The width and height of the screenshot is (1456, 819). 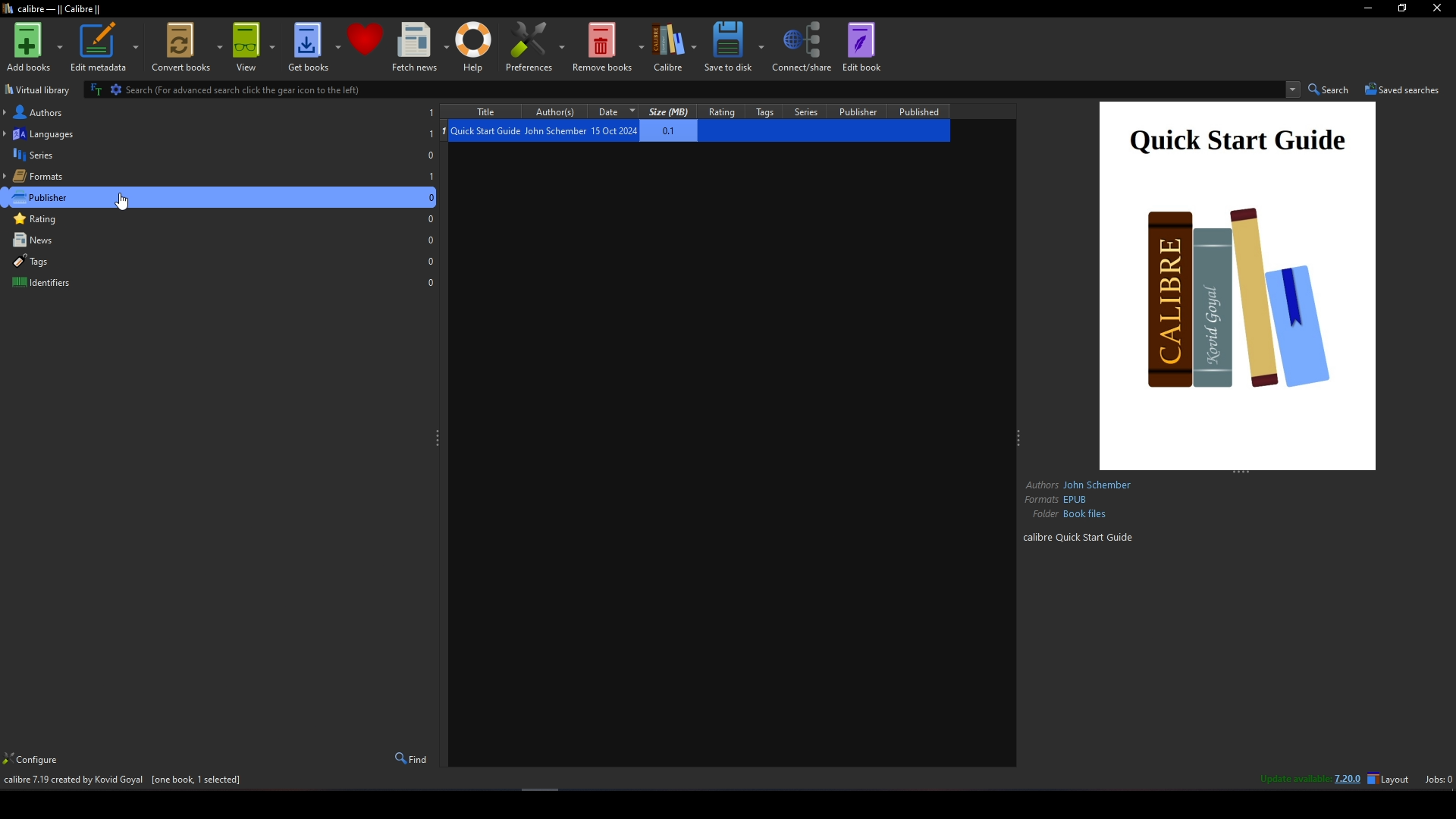 What do you see at coordinates (674, 47) in the screenshot?
I see `Calibre` at bounding box center [674, 47].